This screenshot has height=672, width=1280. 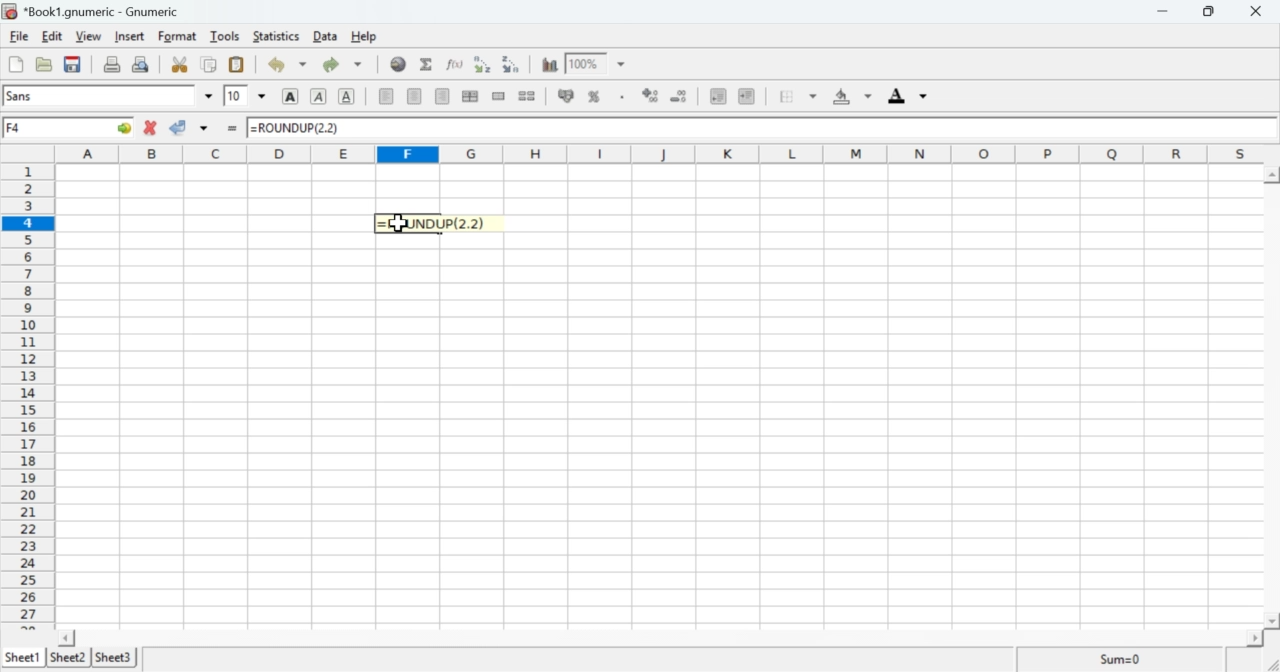 I want to click on Split cells, so click(x=529, y=98).